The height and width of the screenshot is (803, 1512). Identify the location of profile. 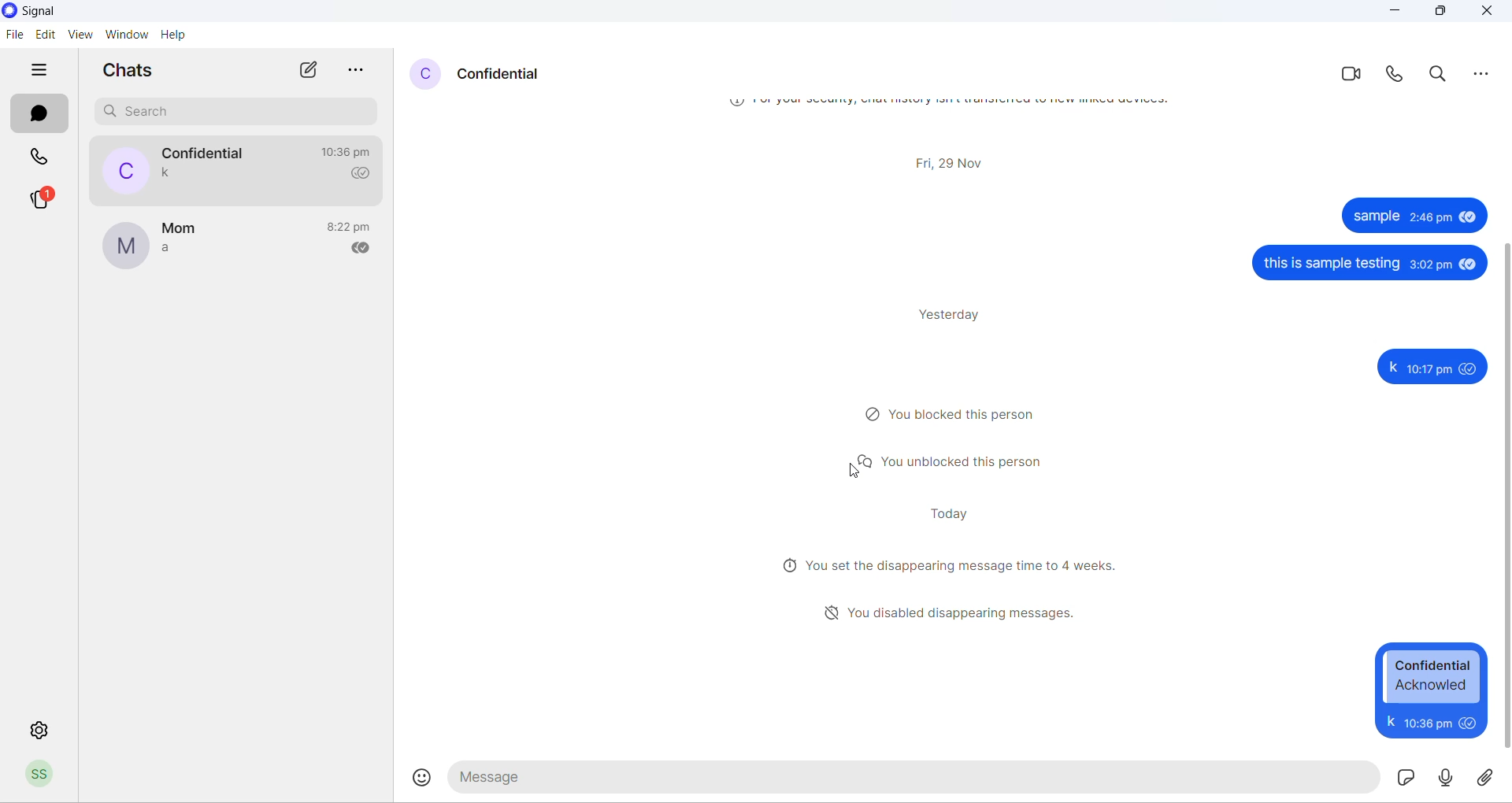
(50, 775).